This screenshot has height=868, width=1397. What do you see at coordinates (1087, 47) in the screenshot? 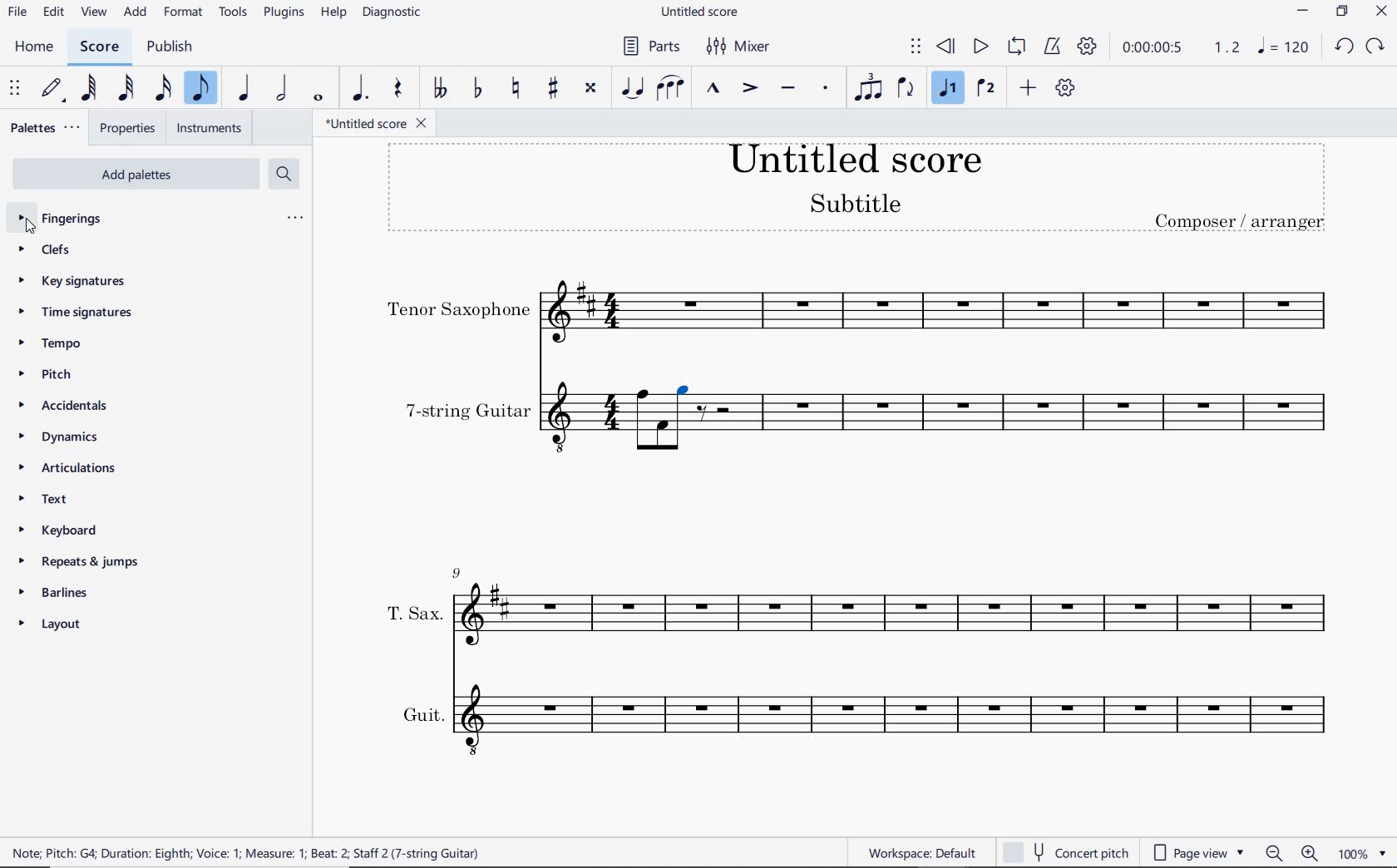
I see `PLAYBACK SETTINGS` at bounding box center [1087, 47].